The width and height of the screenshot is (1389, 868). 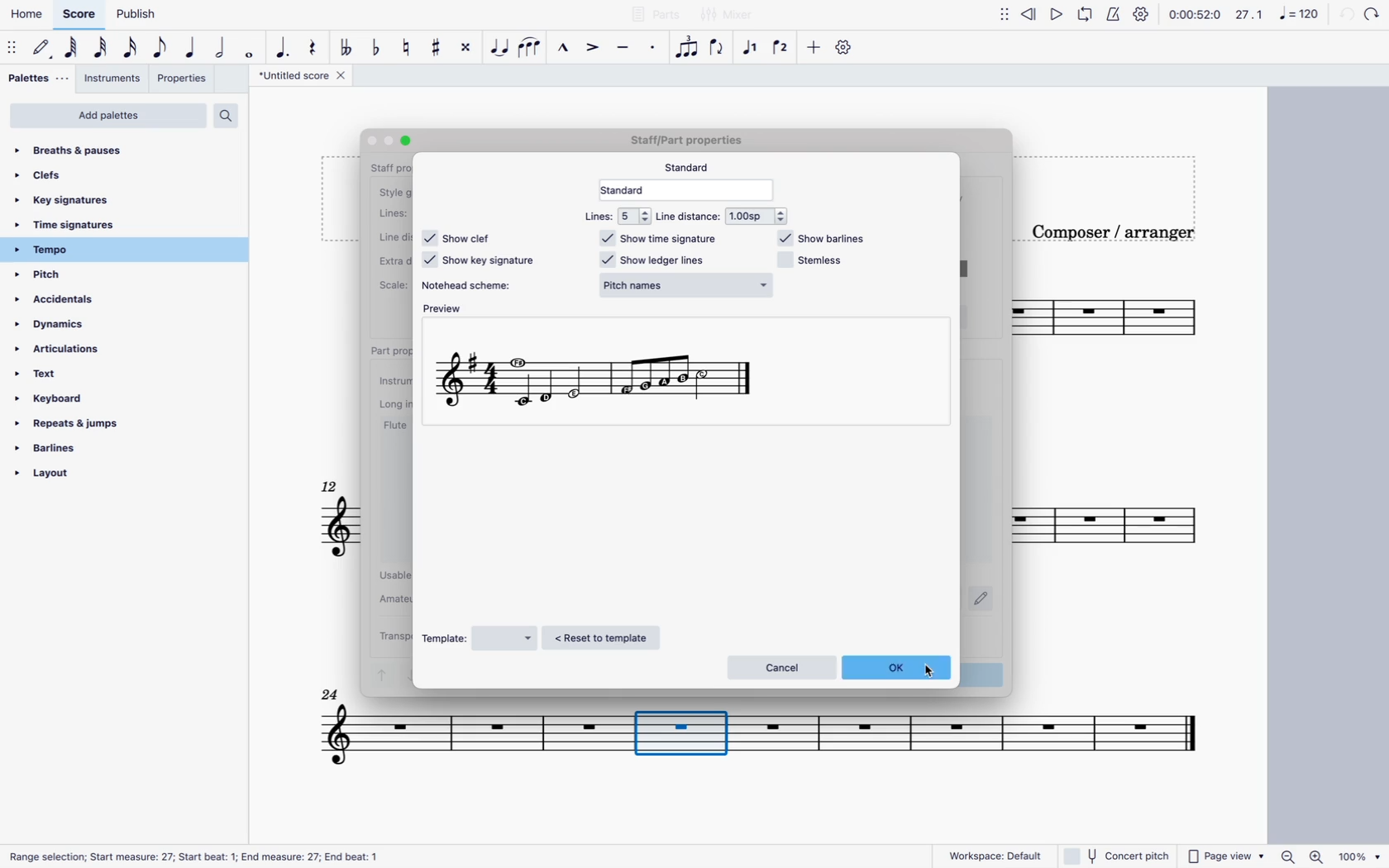 What do you see at coordinates (187, 81) in the screenshot?
I see `properties` at bounding box center [187, 81].